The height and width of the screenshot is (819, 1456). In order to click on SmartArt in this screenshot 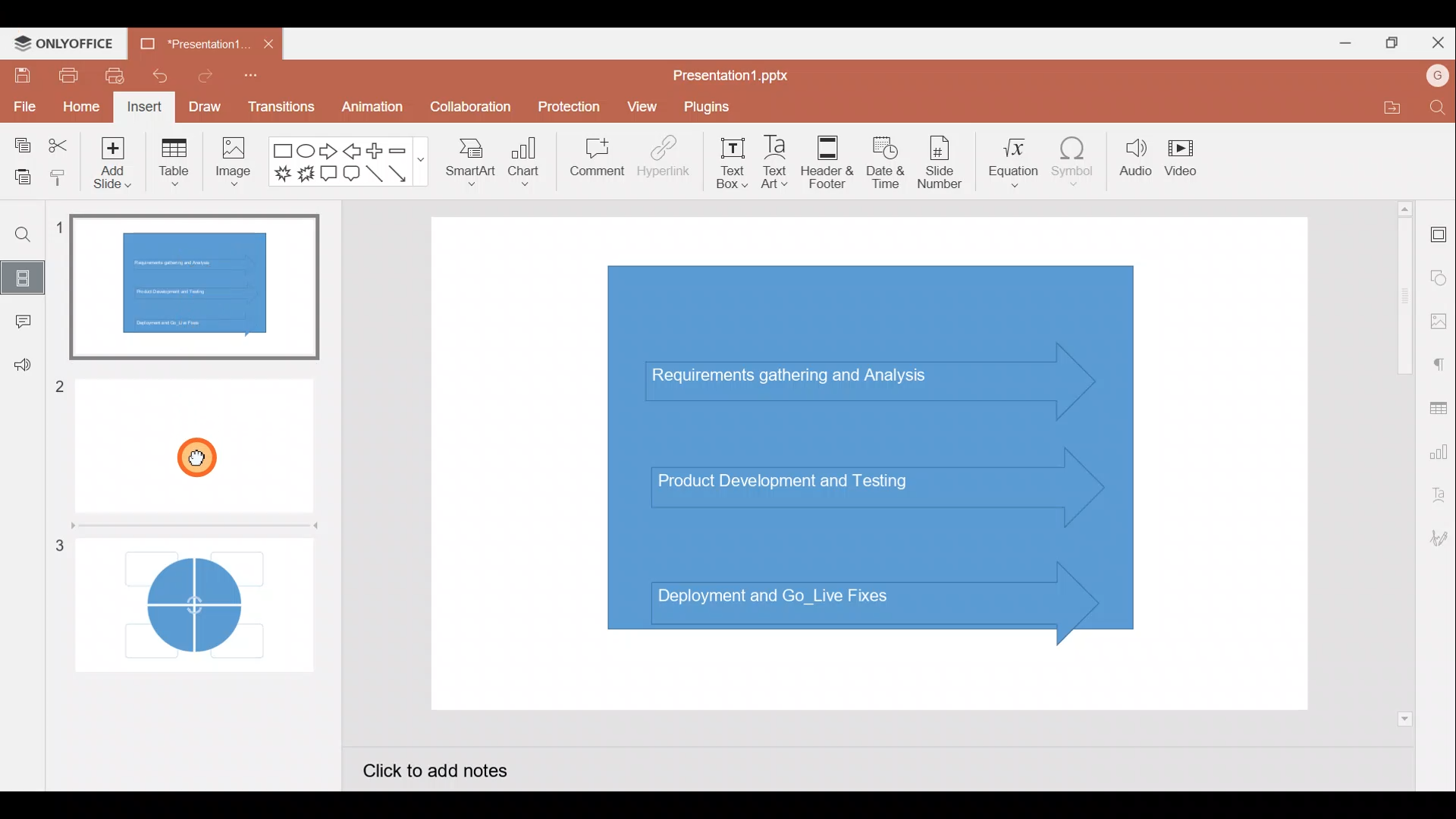, I will do `click(470, 168)`.